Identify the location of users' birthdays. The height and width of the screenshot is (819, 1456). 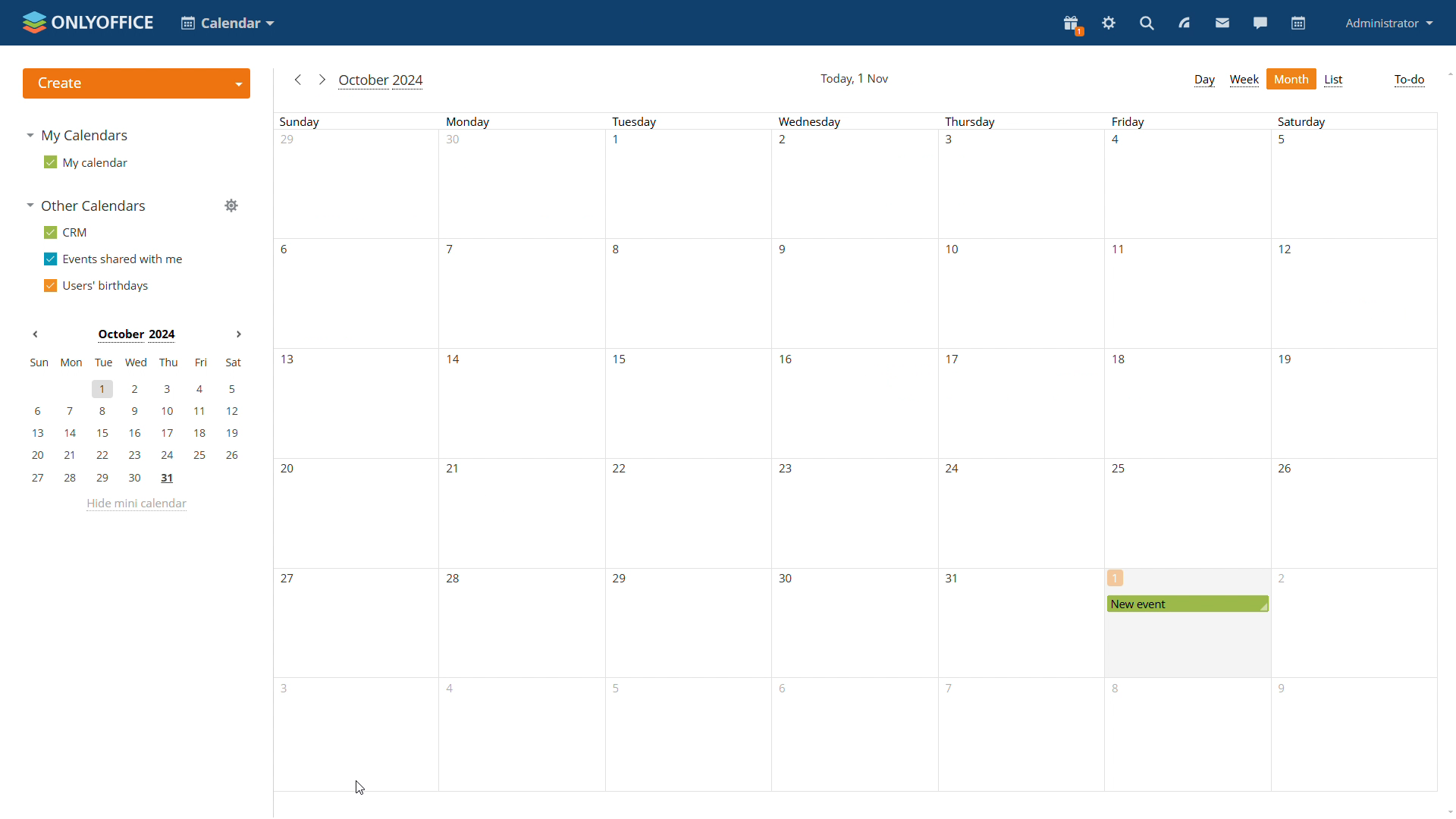
(100, 285).